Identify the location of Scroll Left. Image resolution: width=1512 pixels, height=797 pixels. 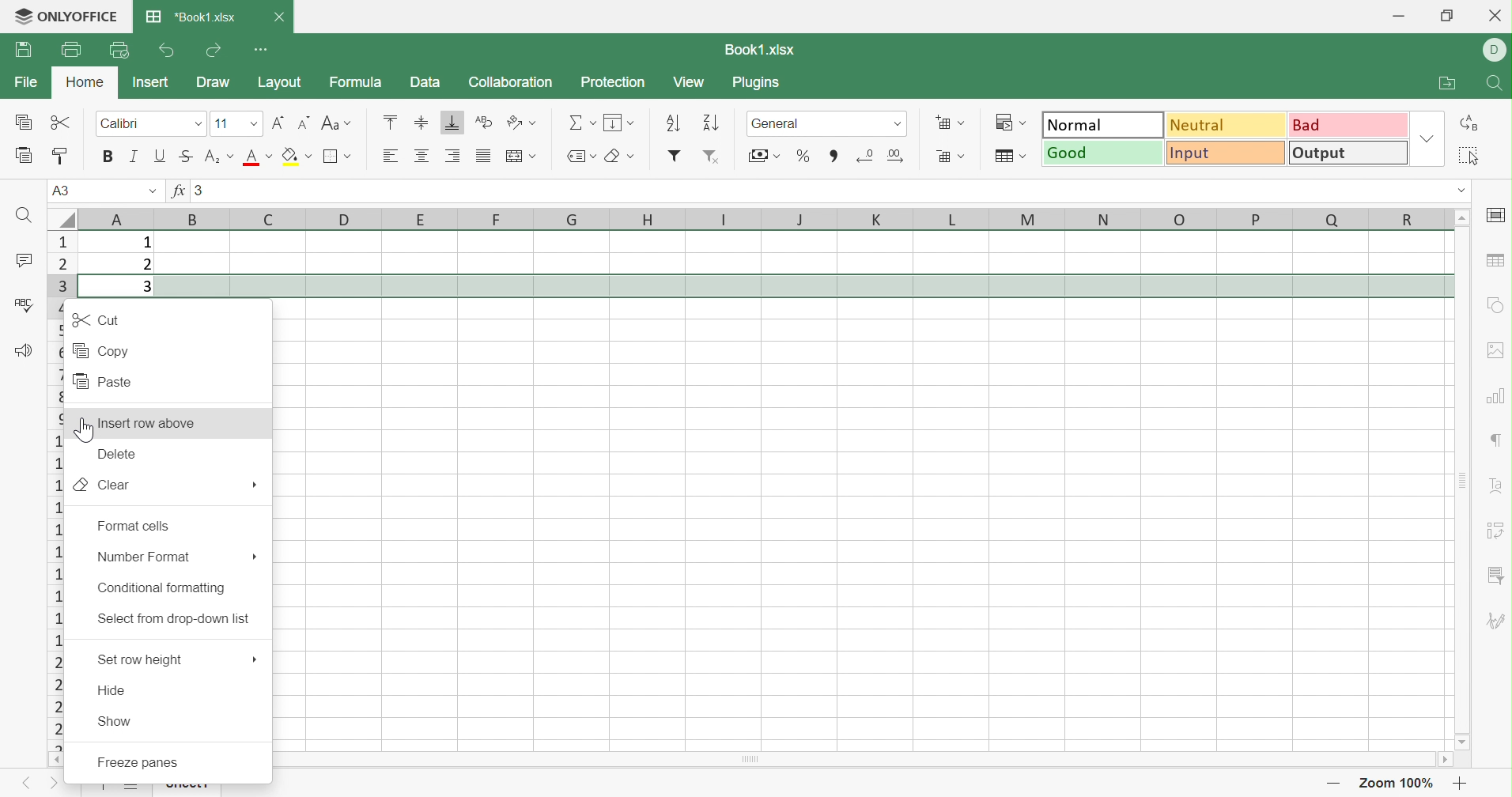
(58, 759).